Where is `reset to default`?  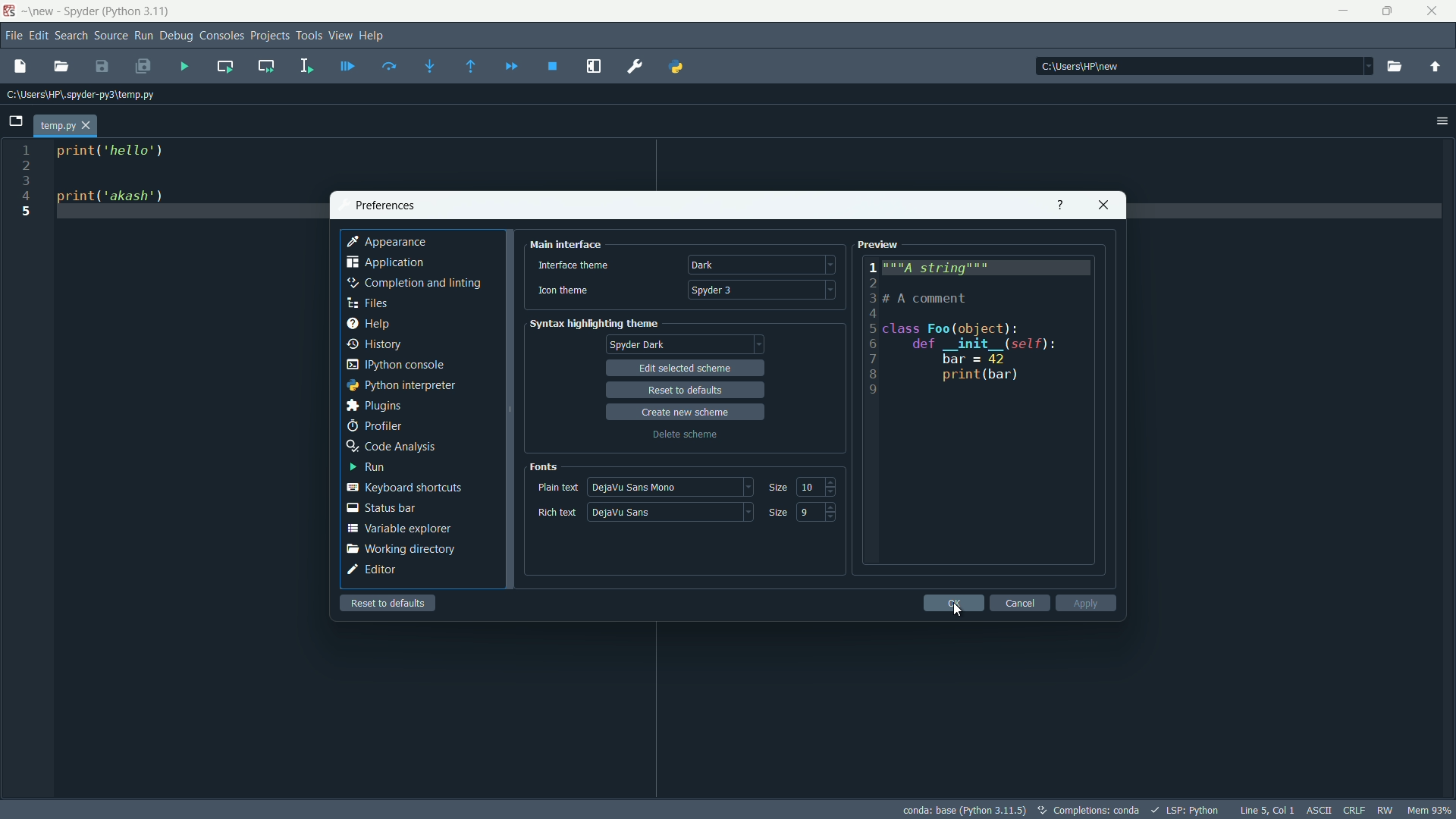
reset to default is located at coordinates (389, 602).